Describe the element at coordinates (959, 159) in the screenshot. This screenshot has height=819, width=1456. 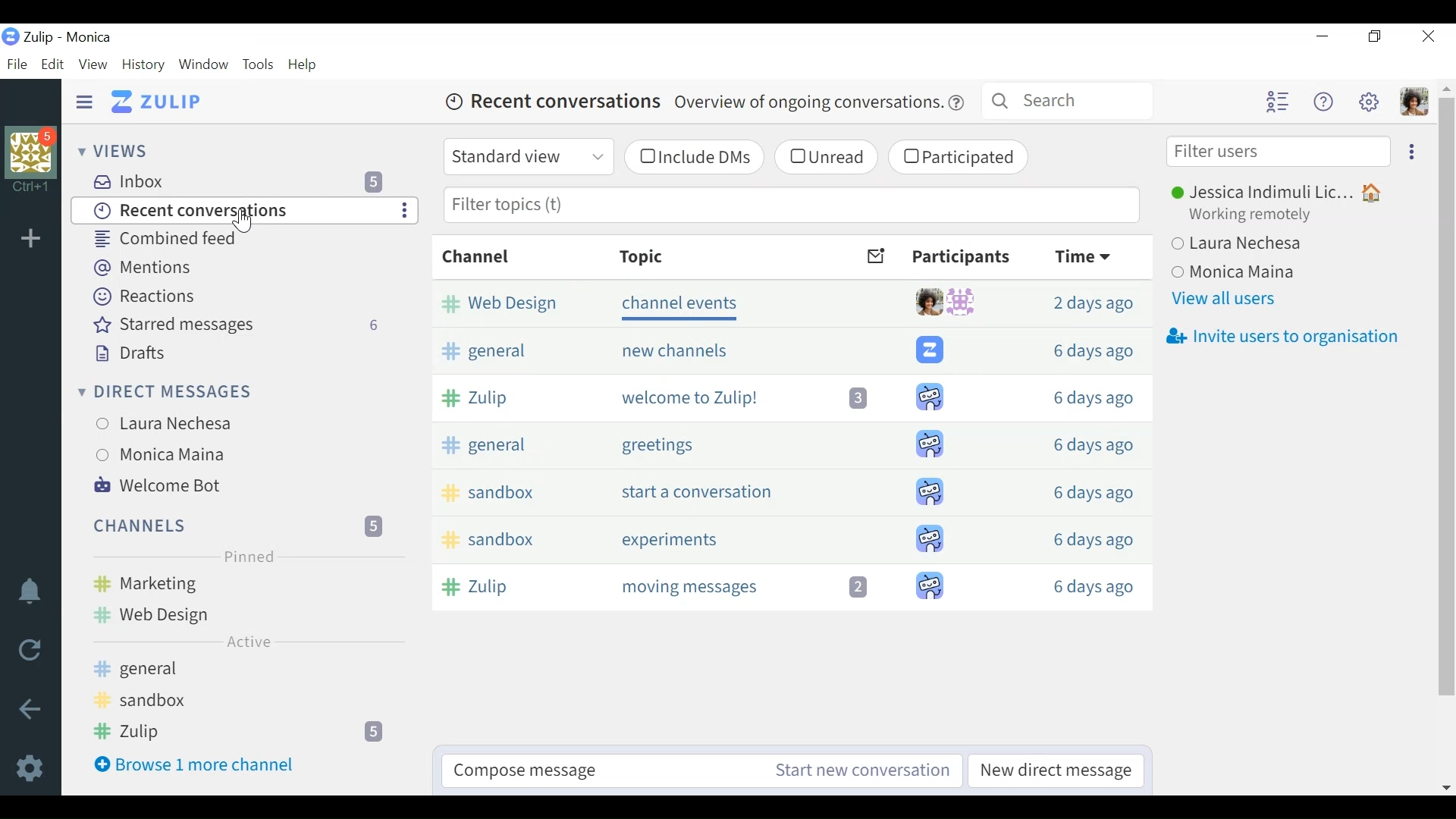
I see `(un)check Participated` at that location.